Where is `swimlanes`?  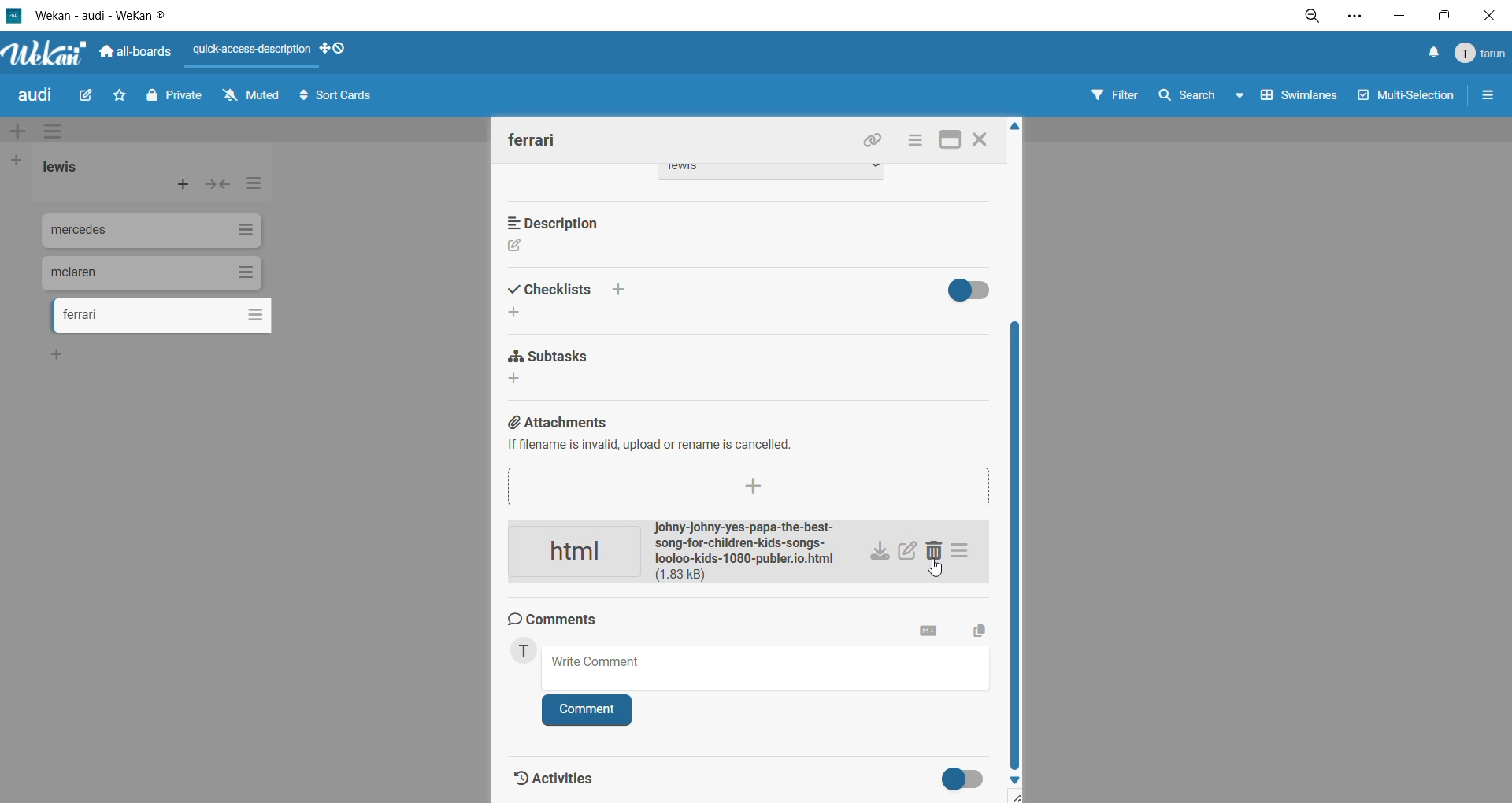 swimlanes is located at coordinates (1295, 101).